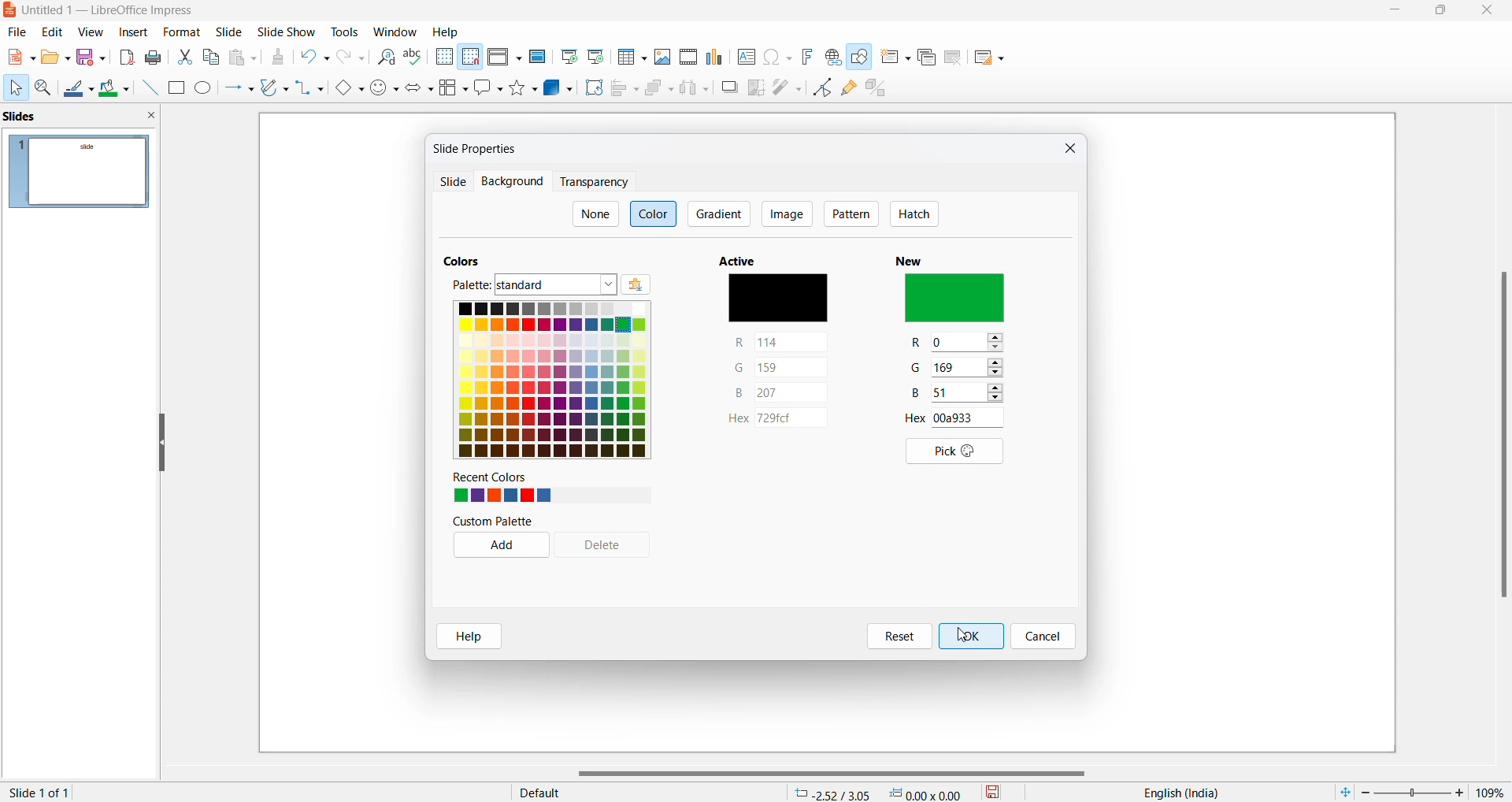  Describe the element at coordinates (919, 370) in the screenshot. I see `G value` at that location.